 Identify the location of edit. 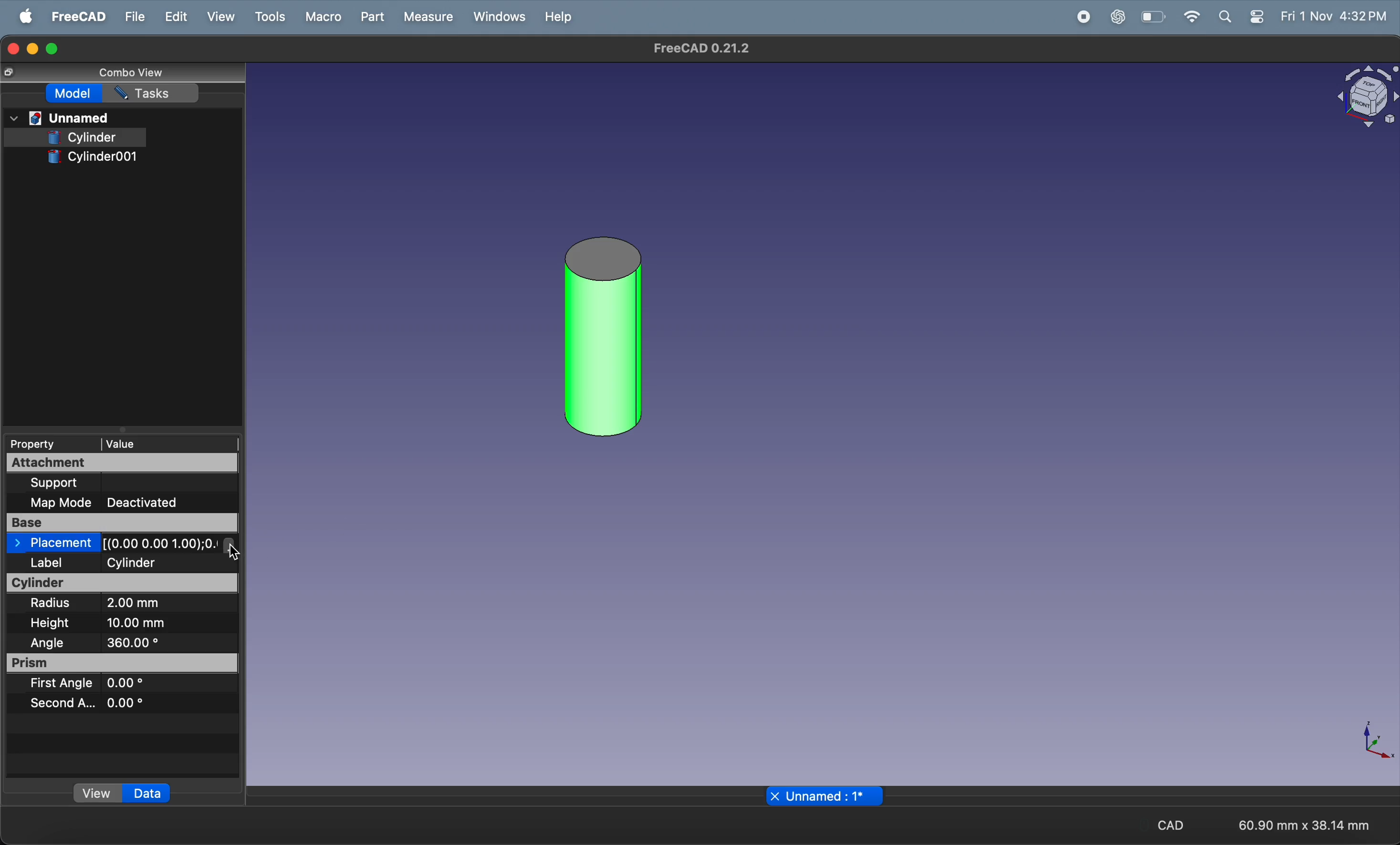
(176, 16).